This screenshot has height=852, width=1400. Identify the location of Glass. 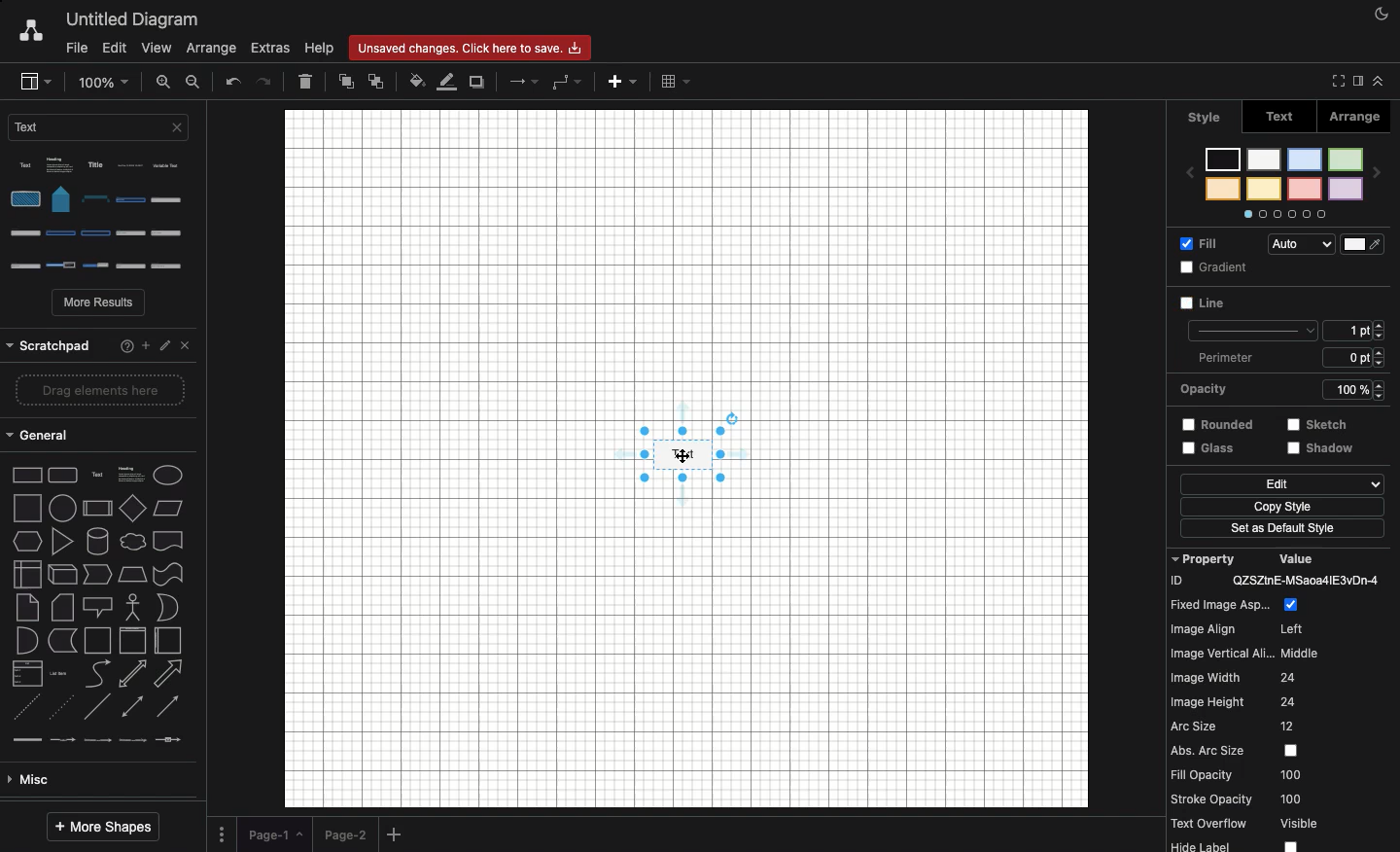
(1209, 427).